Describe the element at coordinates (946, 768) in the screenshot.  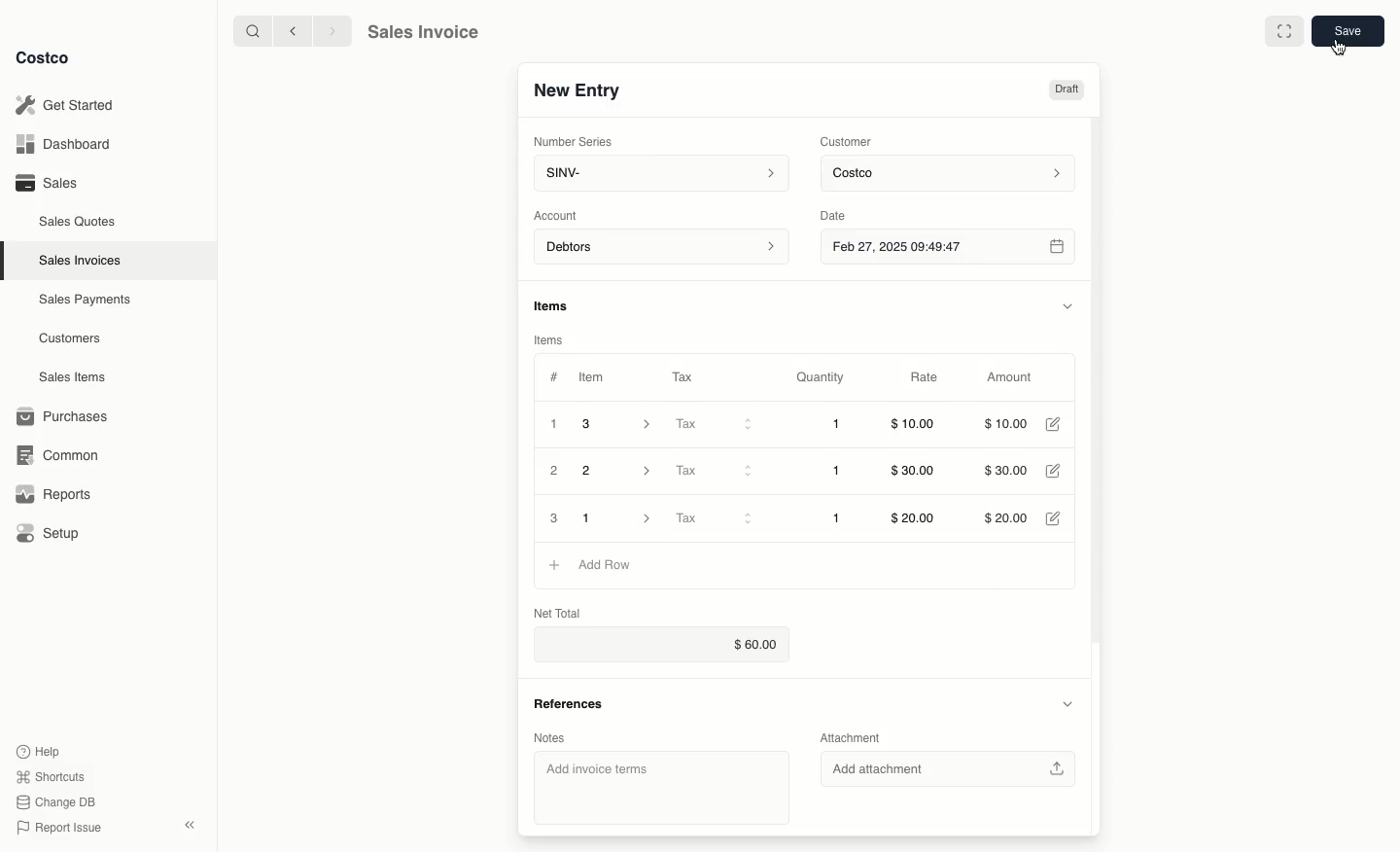
I see `Add attachment` at that location.